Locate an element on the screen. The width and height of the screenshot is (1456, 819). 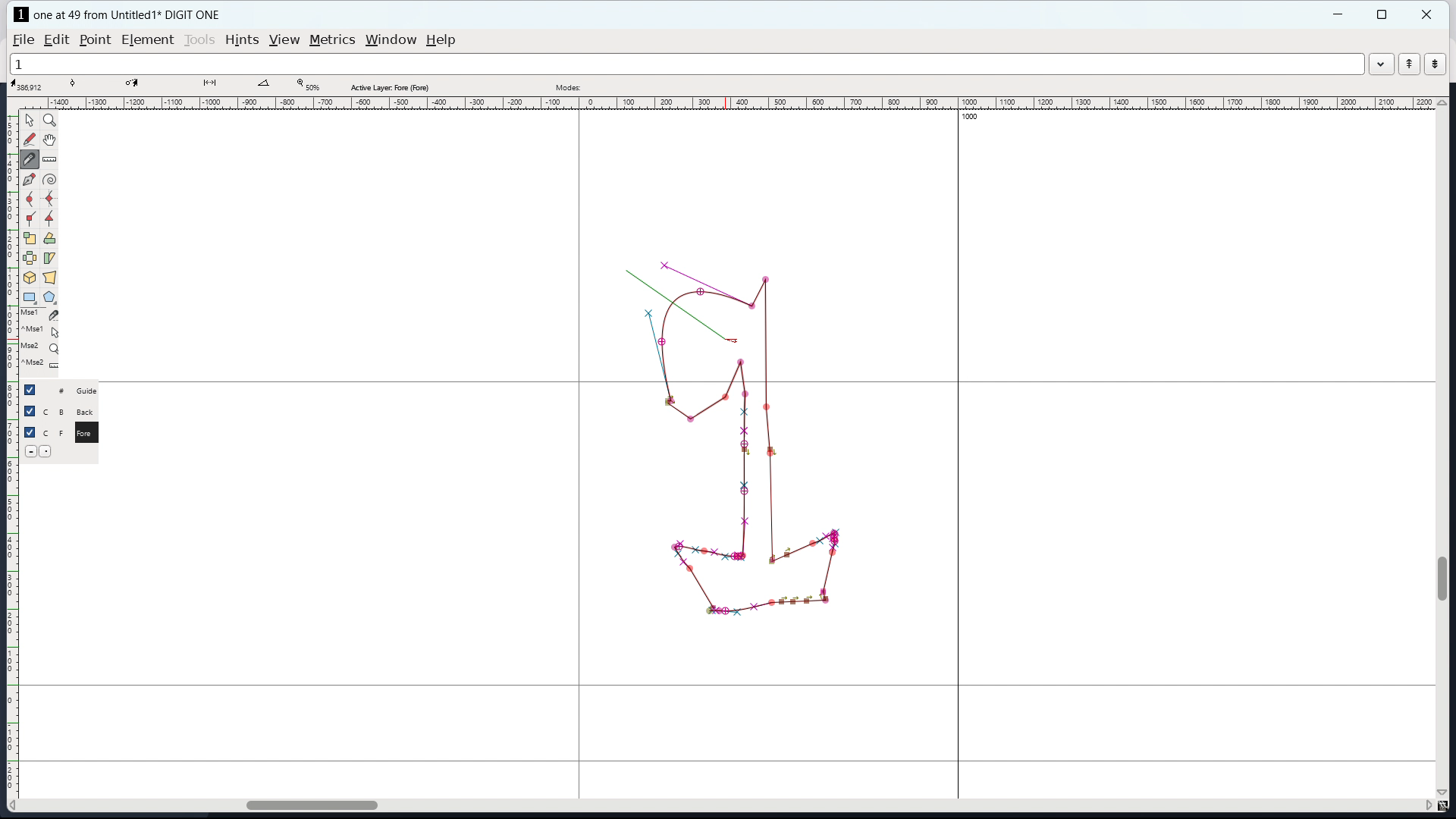
flip selection is located at coordinates (29, 258).